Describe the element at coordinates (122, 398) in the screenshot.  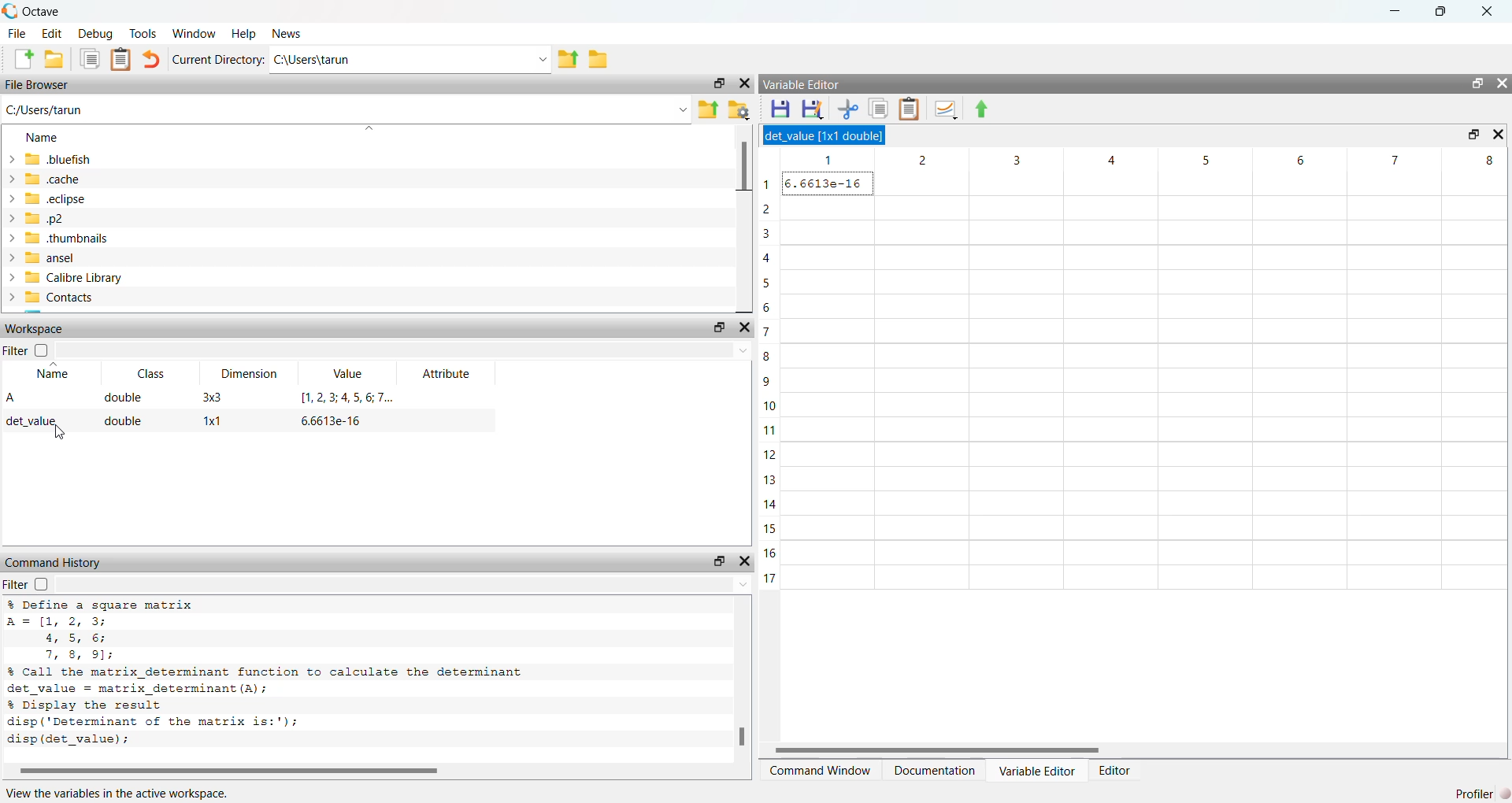
I see `double` at that location.